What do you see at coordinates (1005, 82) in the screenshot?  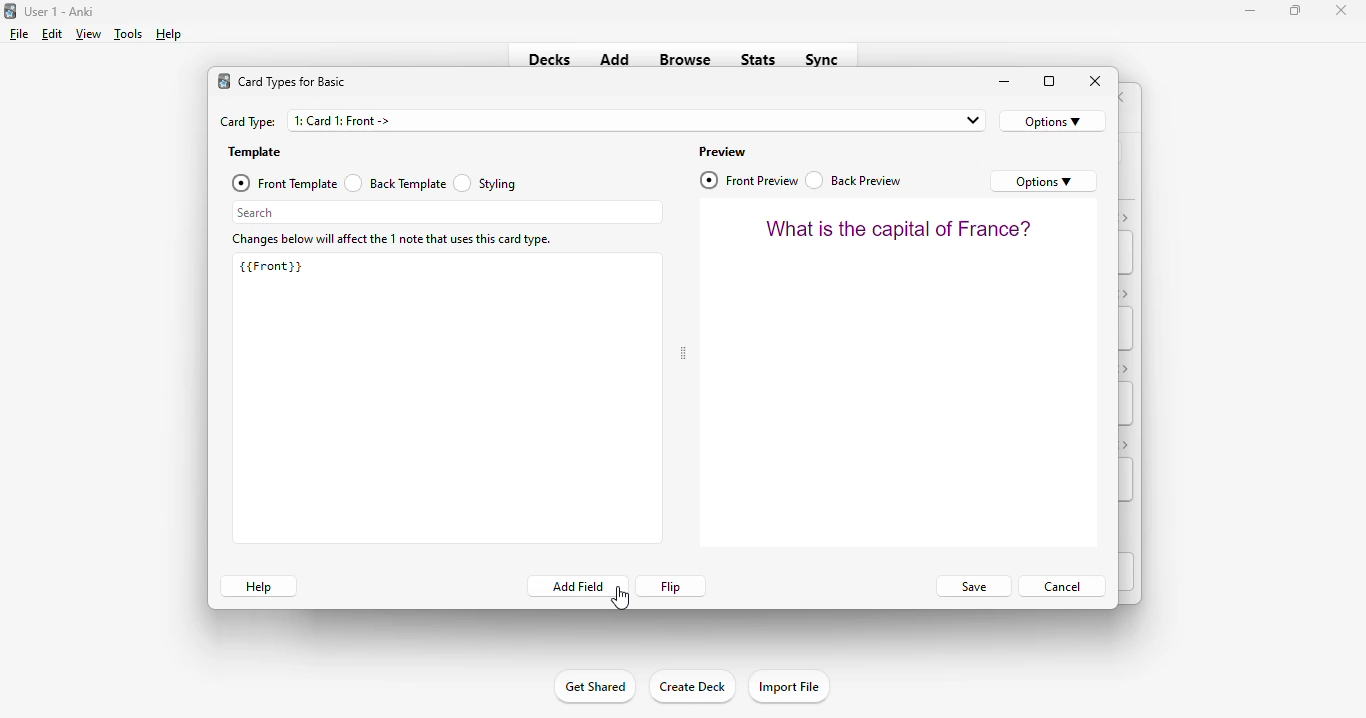 I see `minimize` at bounding box center [1005, 82].